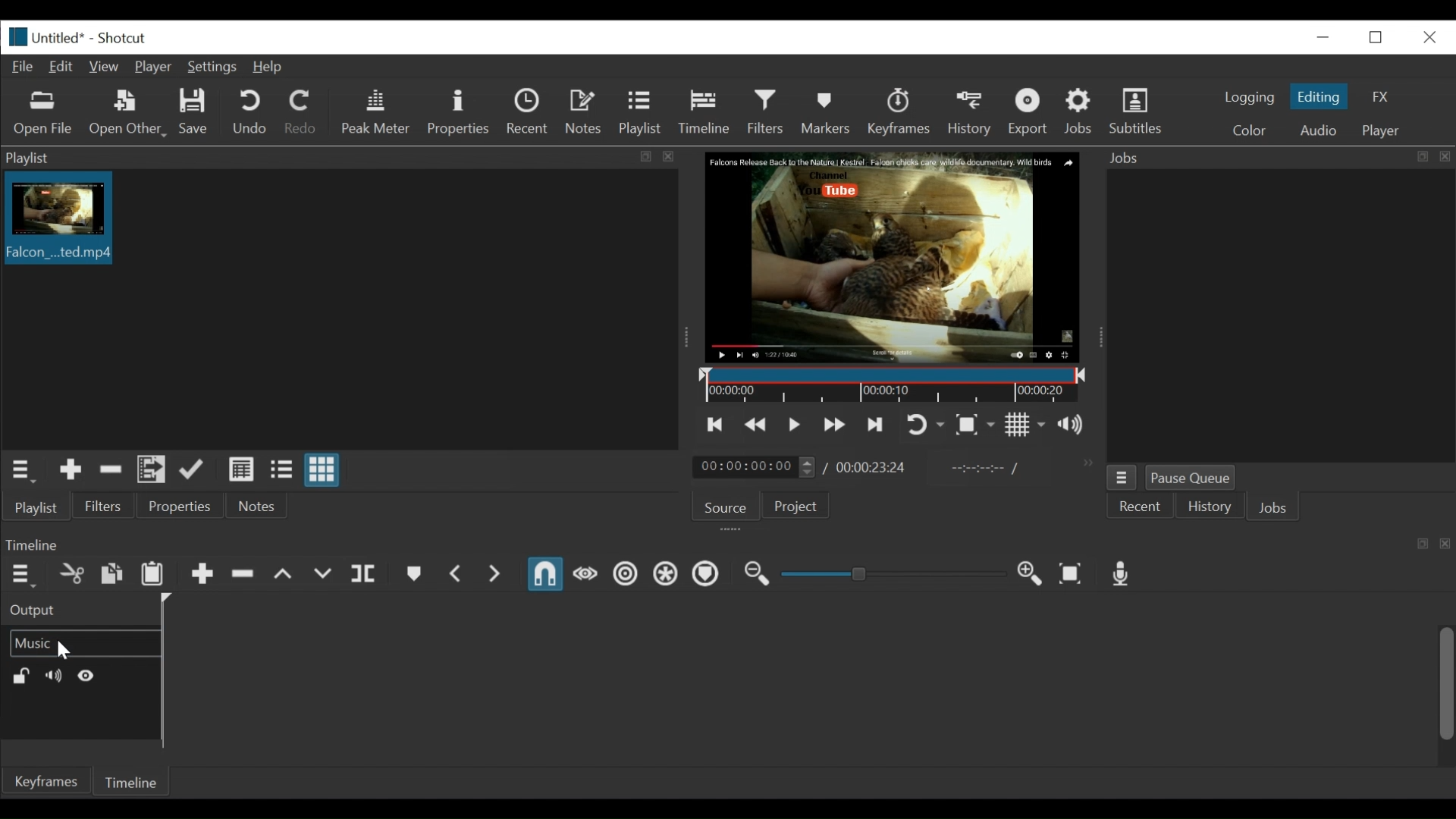 The height and width of the screenshot is (819, 1456). Describe the element at coordinates (1029, 113) in the screenshot. I see `Export` at that location.